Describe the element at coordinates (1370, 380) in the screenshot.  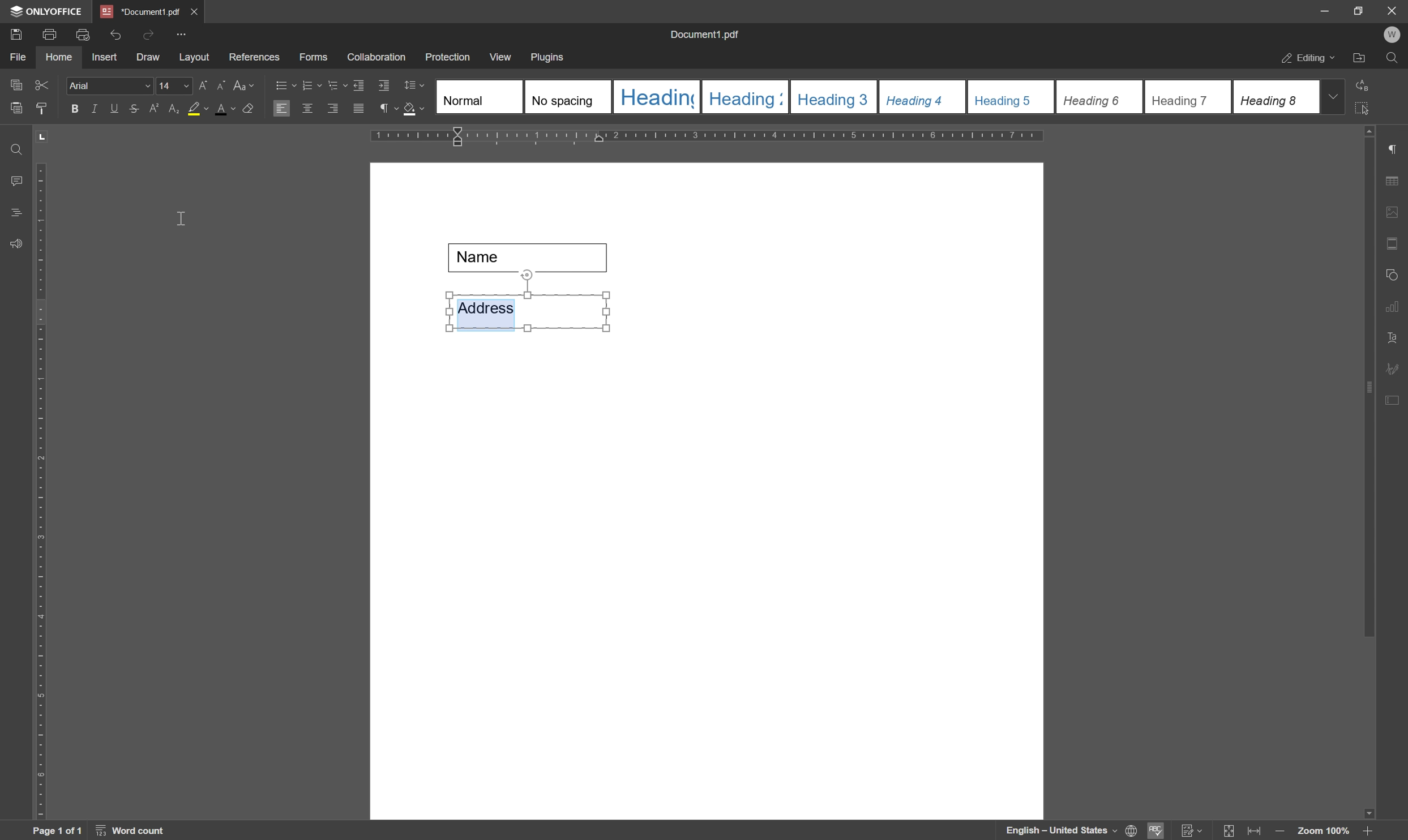
I see `scroll bar` at that location.